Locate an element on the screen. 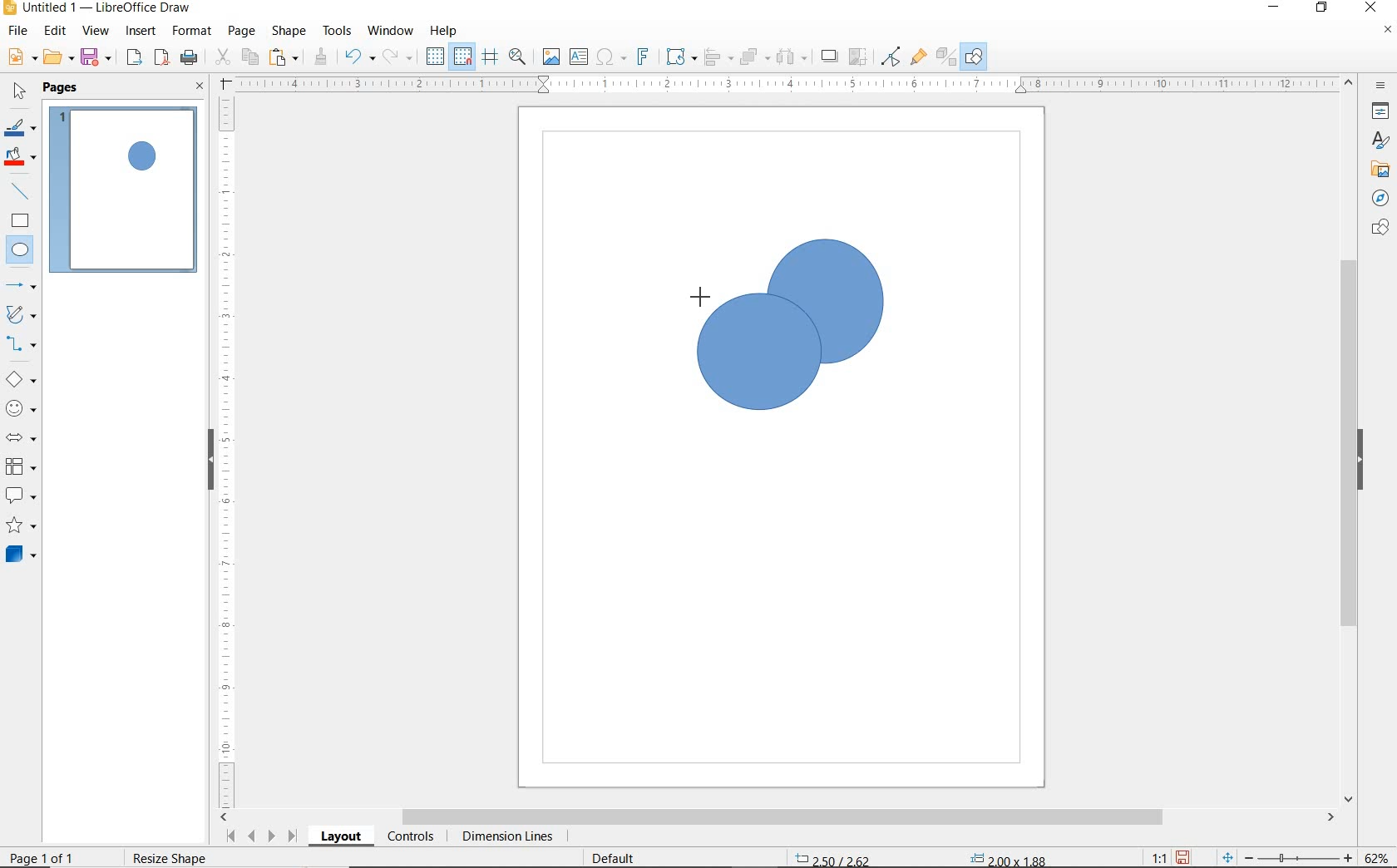 The width and height of the screenshot is (1397, 868). SIDEBAR SETTINGS is located at coordinates (1381, 86).